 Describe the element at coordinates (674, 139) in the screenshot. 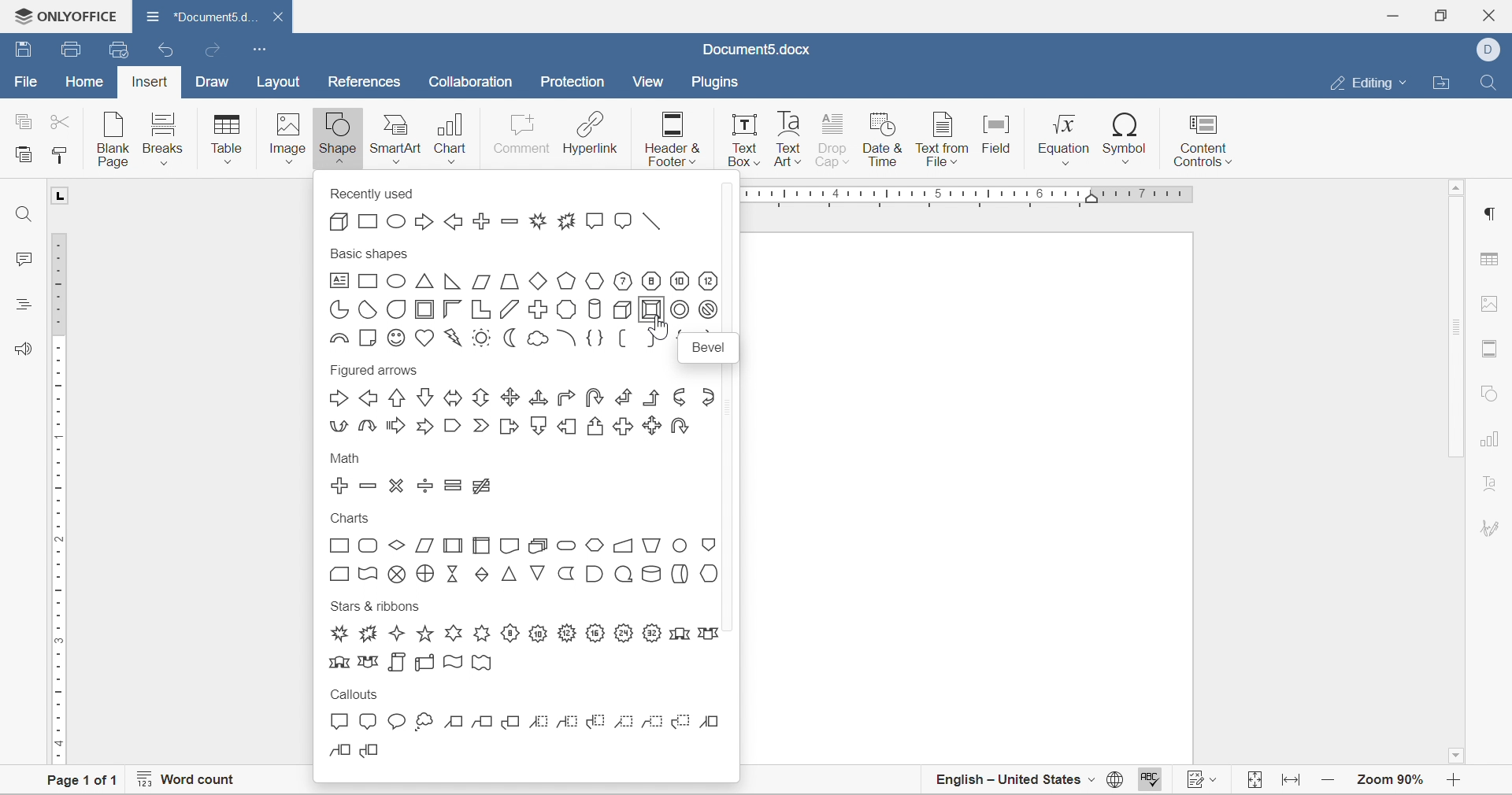

I see `header & footer` at that location.